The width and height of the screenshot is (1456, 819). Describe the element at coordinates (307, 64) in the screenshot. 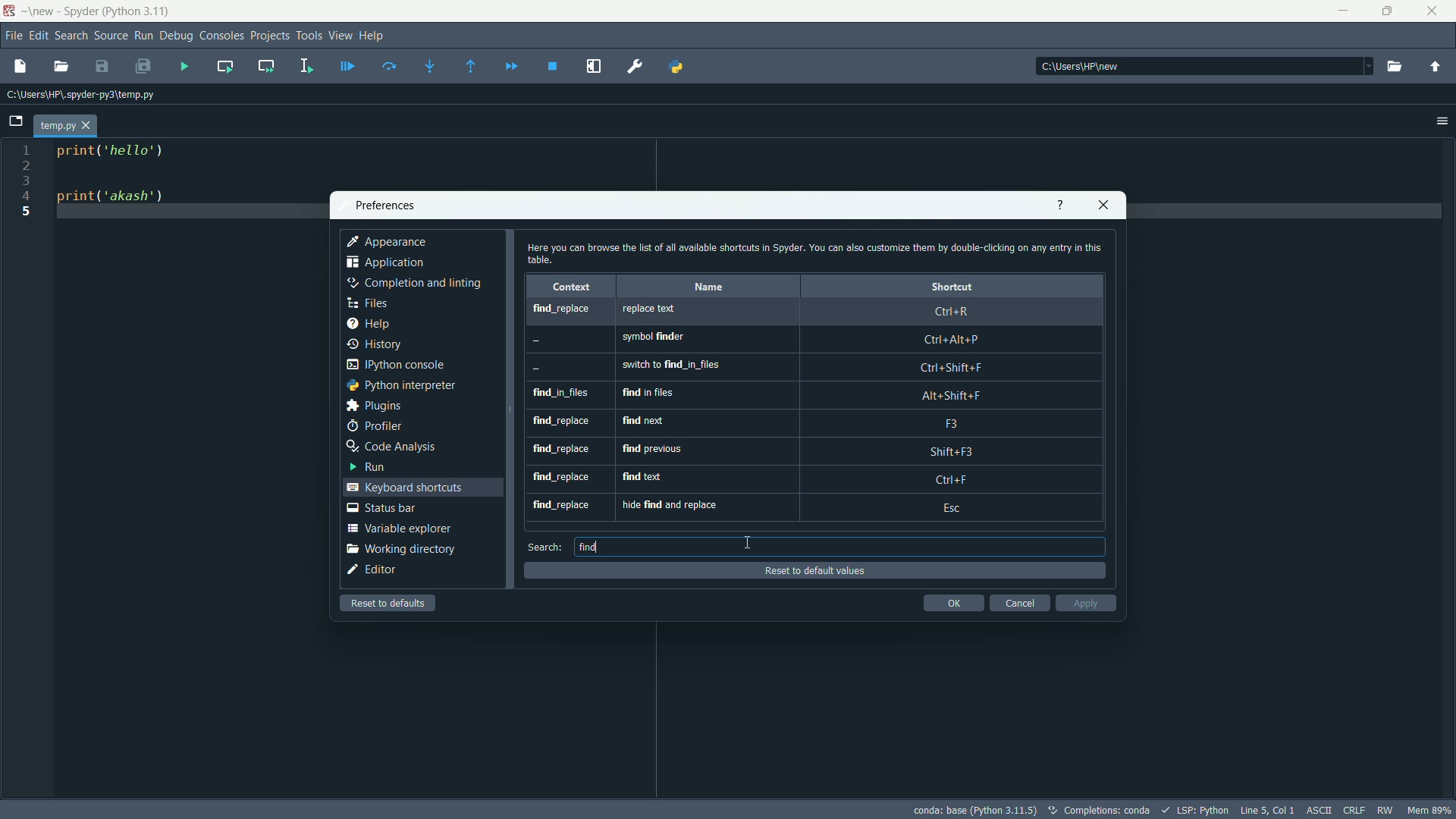

I see `run selection` at that location.